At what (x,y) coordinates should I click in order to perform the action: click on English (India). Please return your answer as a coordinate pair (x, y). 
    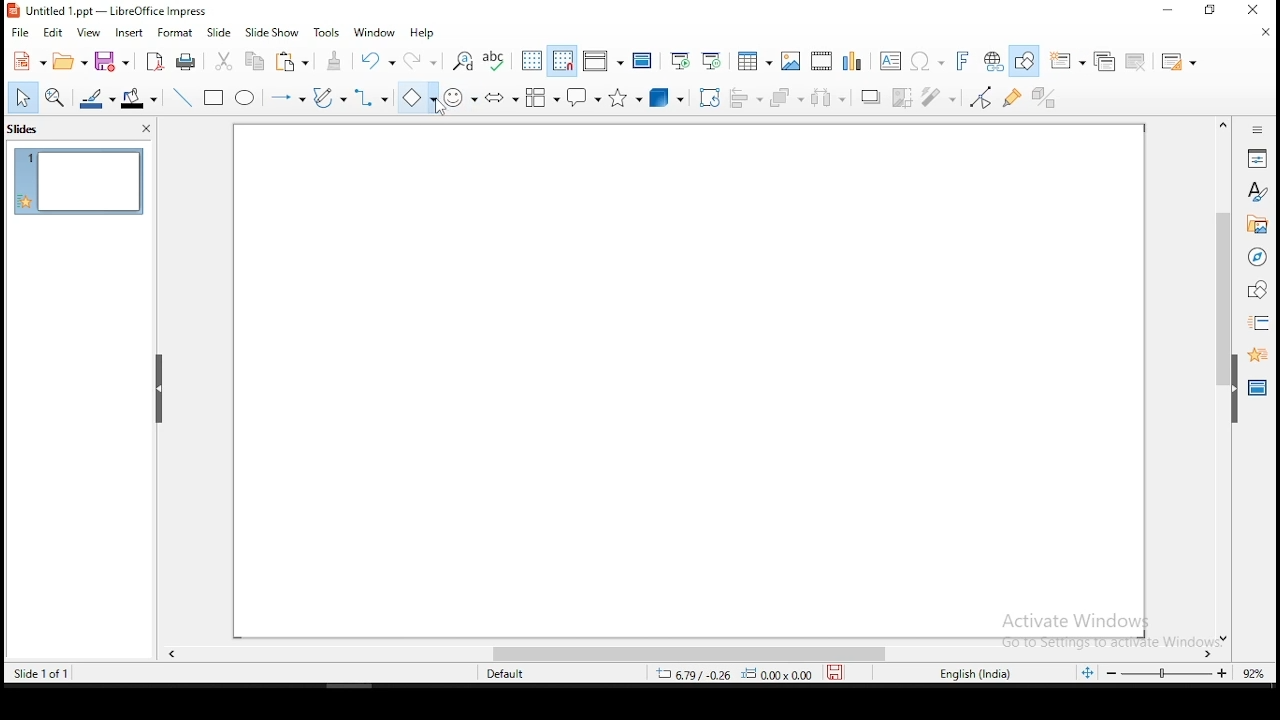
    Looking at the image, I should click on (974, 675).